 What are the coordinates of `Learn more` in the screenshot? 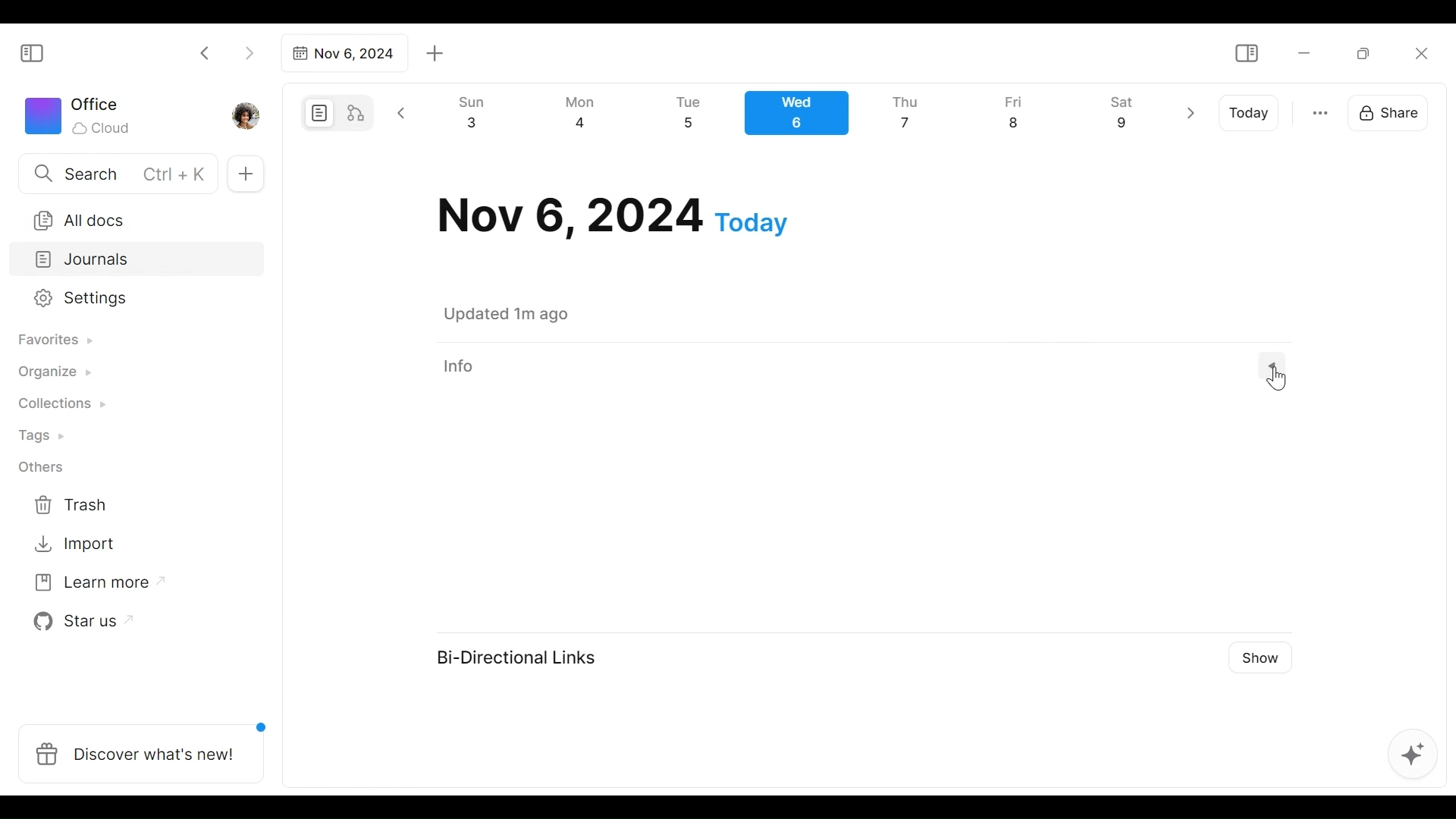 It's located at (92, 585).